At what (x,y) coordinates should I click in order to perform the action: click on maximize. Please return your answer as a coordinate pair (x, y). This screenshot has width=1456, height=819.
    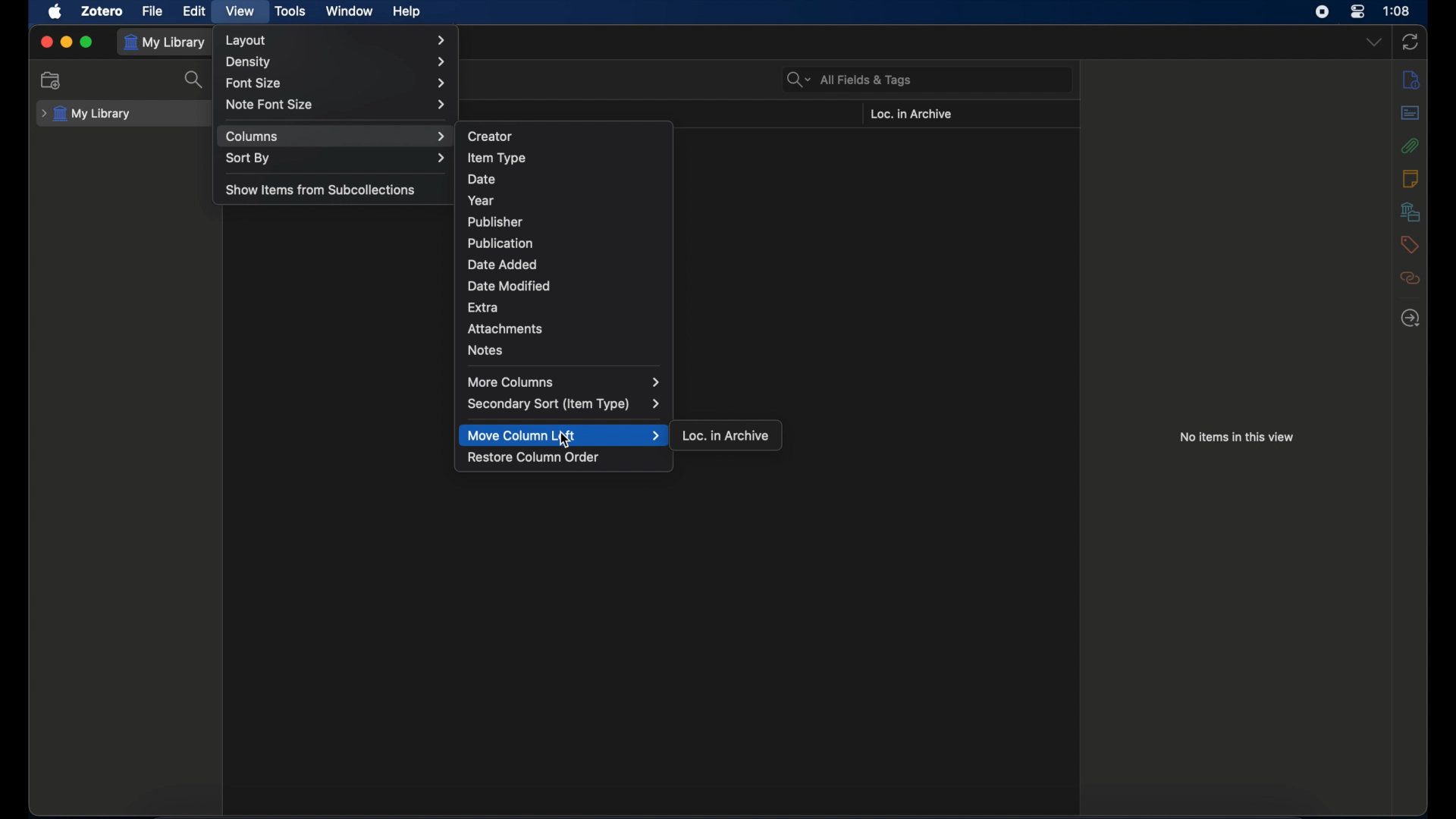
    Looking at the image, I should click on (86, 42).